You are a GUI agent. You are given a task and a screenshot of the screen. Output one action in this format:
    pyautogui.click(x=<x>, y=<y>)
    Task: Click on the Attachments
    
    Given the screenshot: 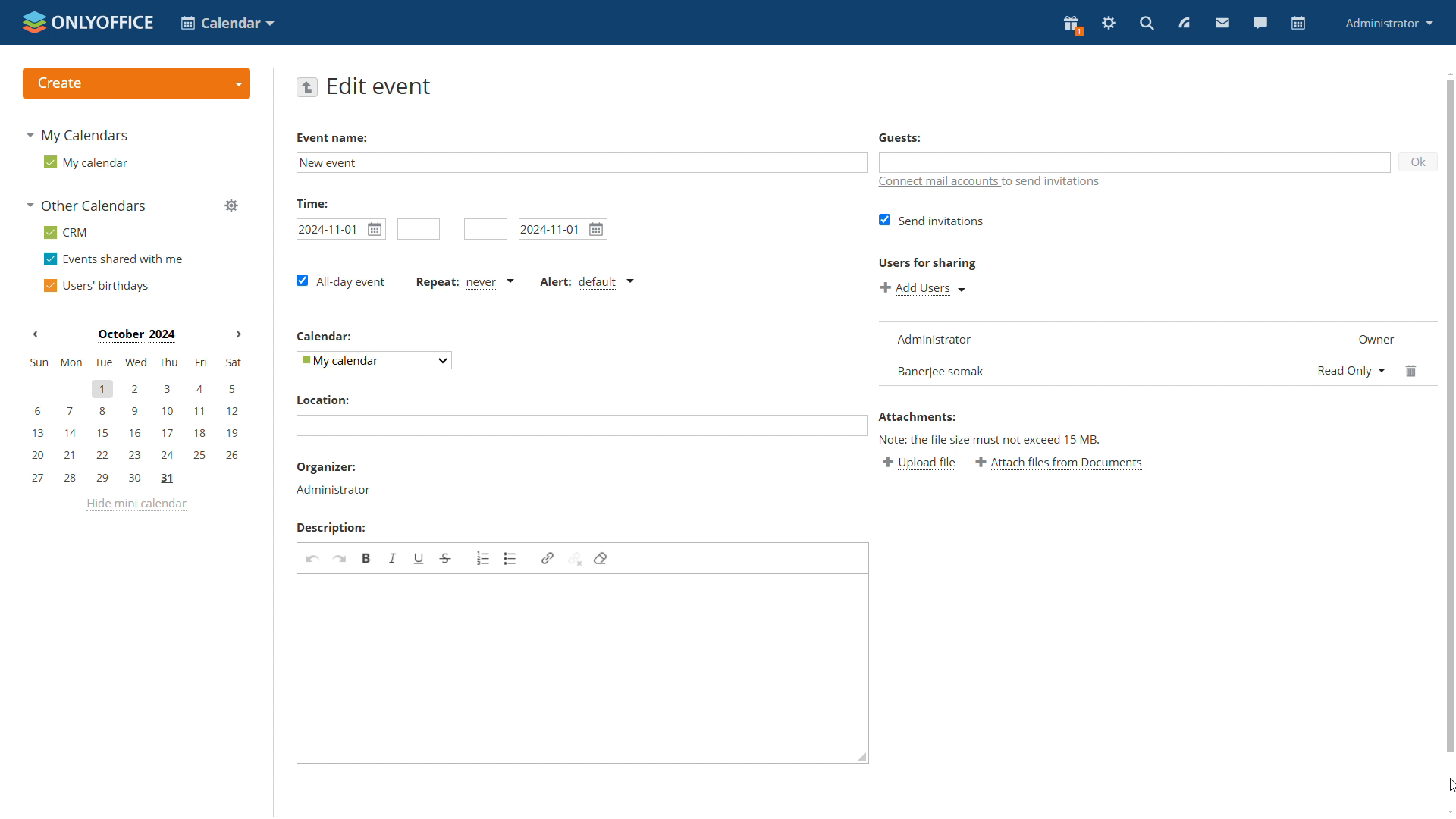 What is the action you would take?
    pyautogui.click(x=918, y=416)
    